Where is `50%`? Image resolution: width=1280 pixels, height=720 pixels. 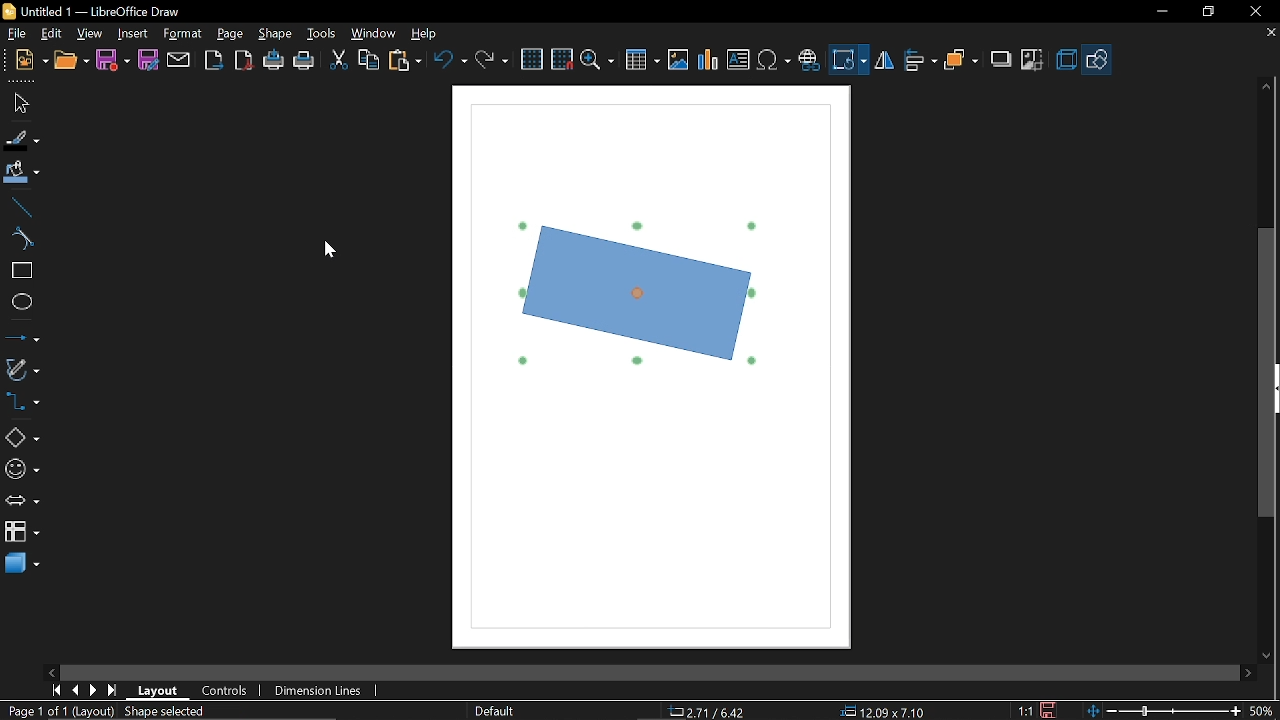
50% is located at coordinates (1262, 709).